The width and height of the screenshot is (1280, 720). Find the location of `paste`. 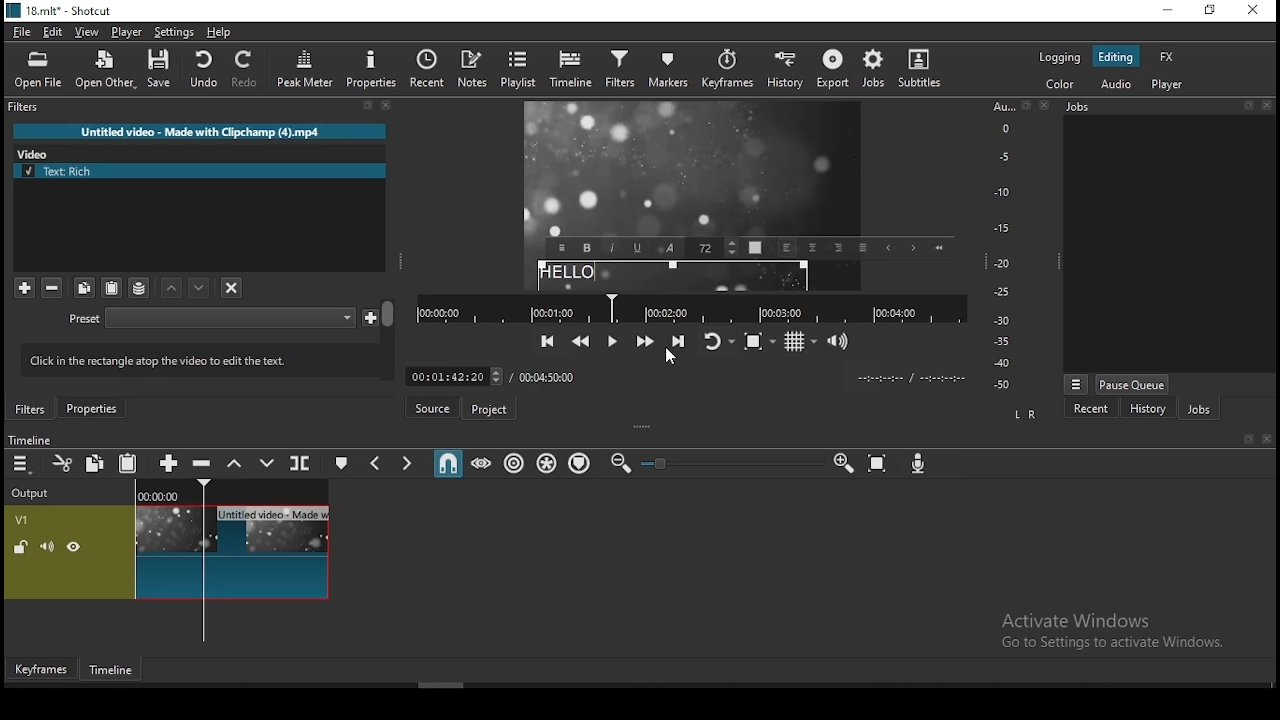

paste is located at coordinates (111, 288).